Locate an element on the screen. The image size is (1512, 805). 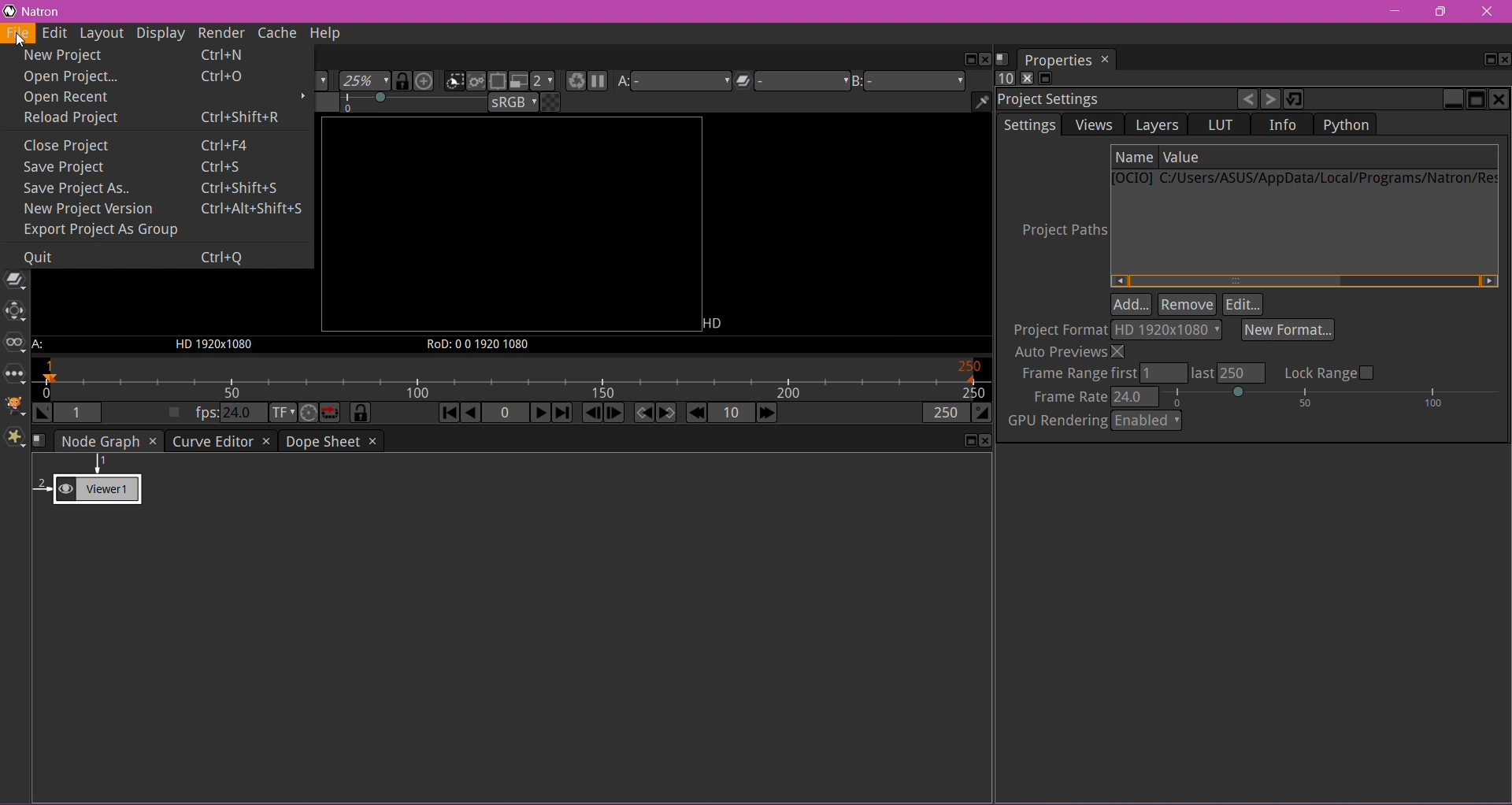
Viewer 1 is located at coordinates (95, 485).